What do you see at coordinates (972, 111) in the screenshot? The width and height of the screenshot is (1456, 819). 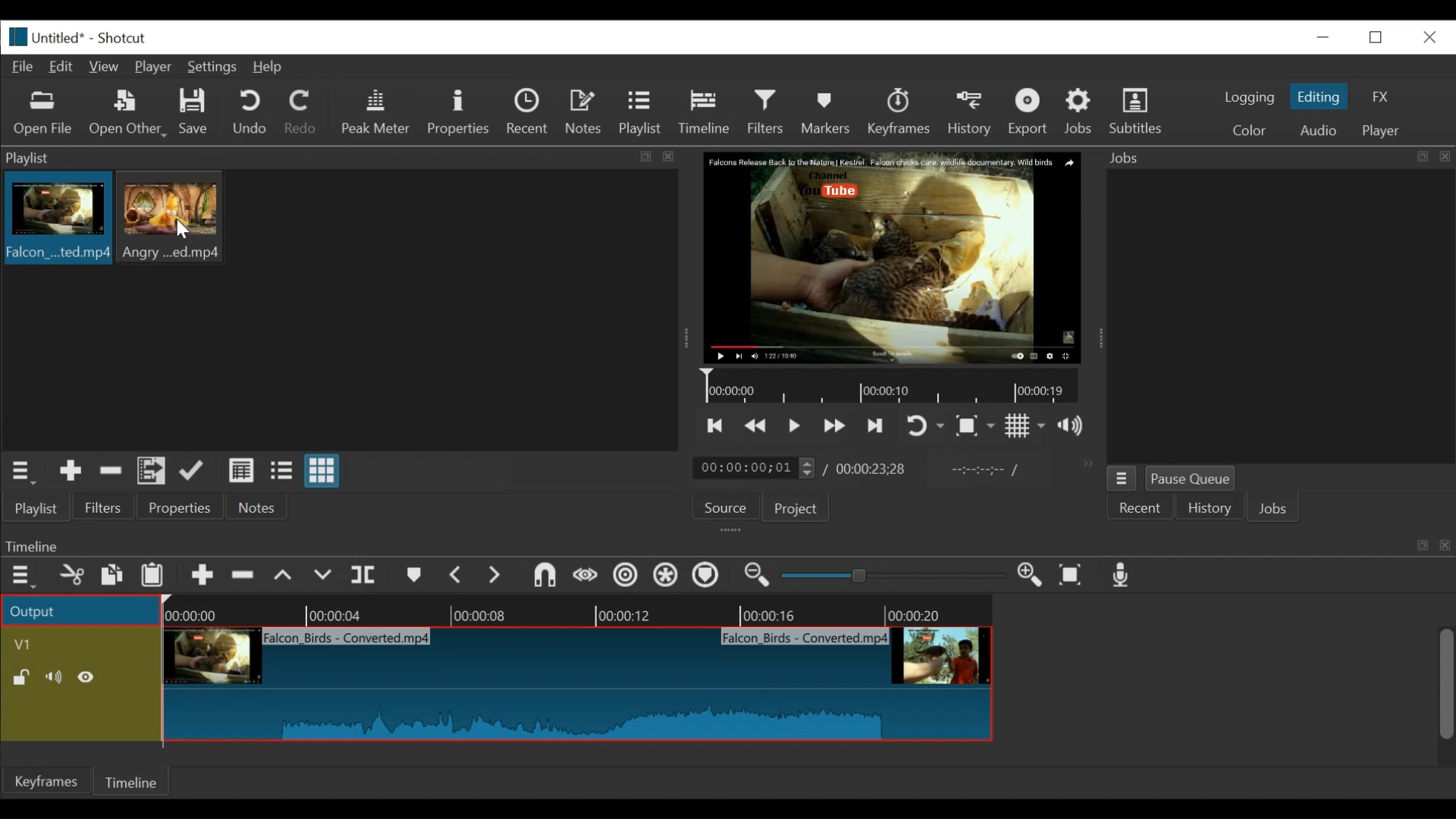 I see `History` at bounding box center [972, 111].